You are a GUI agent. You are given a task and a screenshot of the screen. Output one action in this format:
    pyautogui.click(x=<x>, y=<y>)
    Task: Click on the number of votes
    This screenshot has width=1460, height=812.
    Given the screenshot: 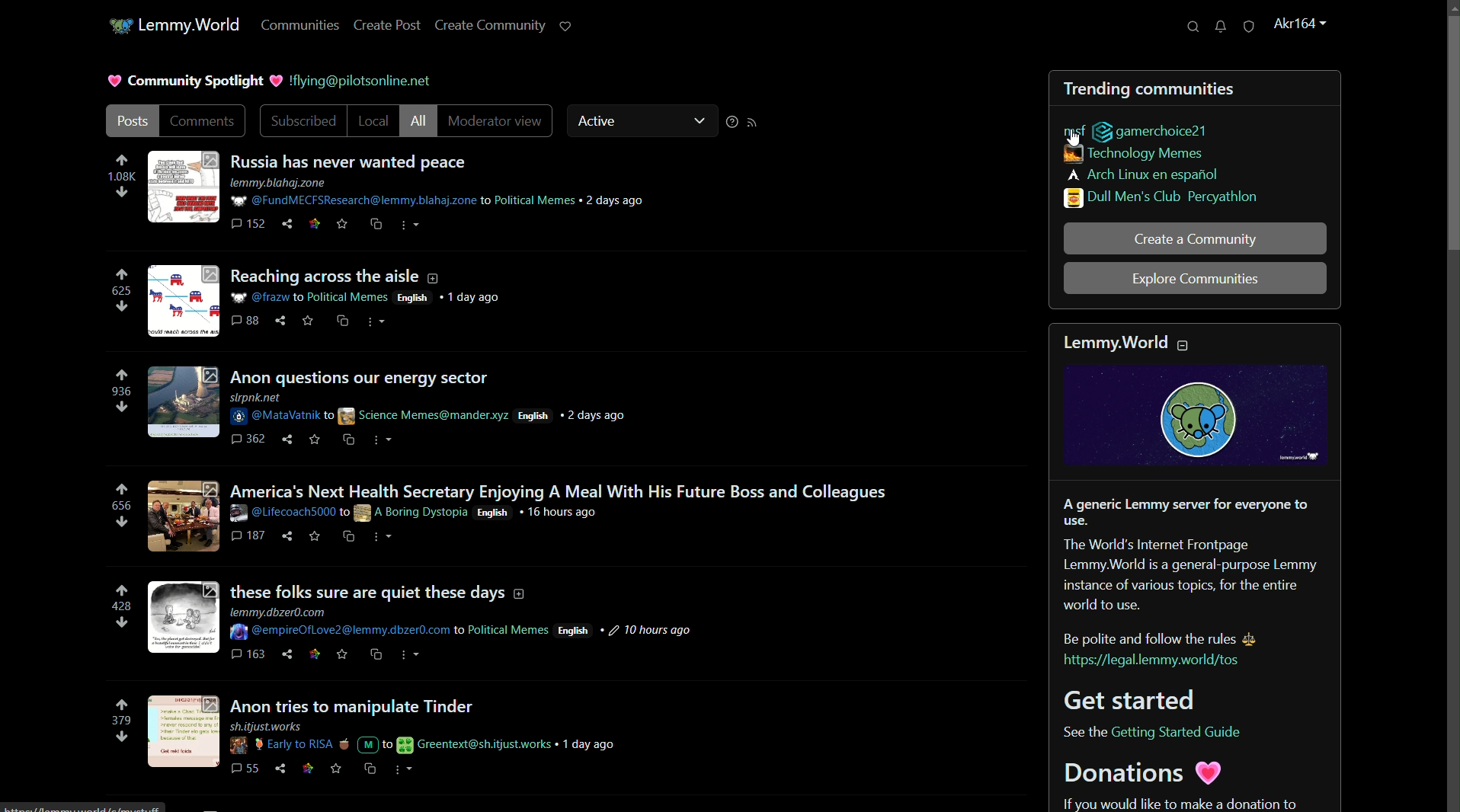 What is the action you would take?
    pyautogui.click(x=122, y=177)
    